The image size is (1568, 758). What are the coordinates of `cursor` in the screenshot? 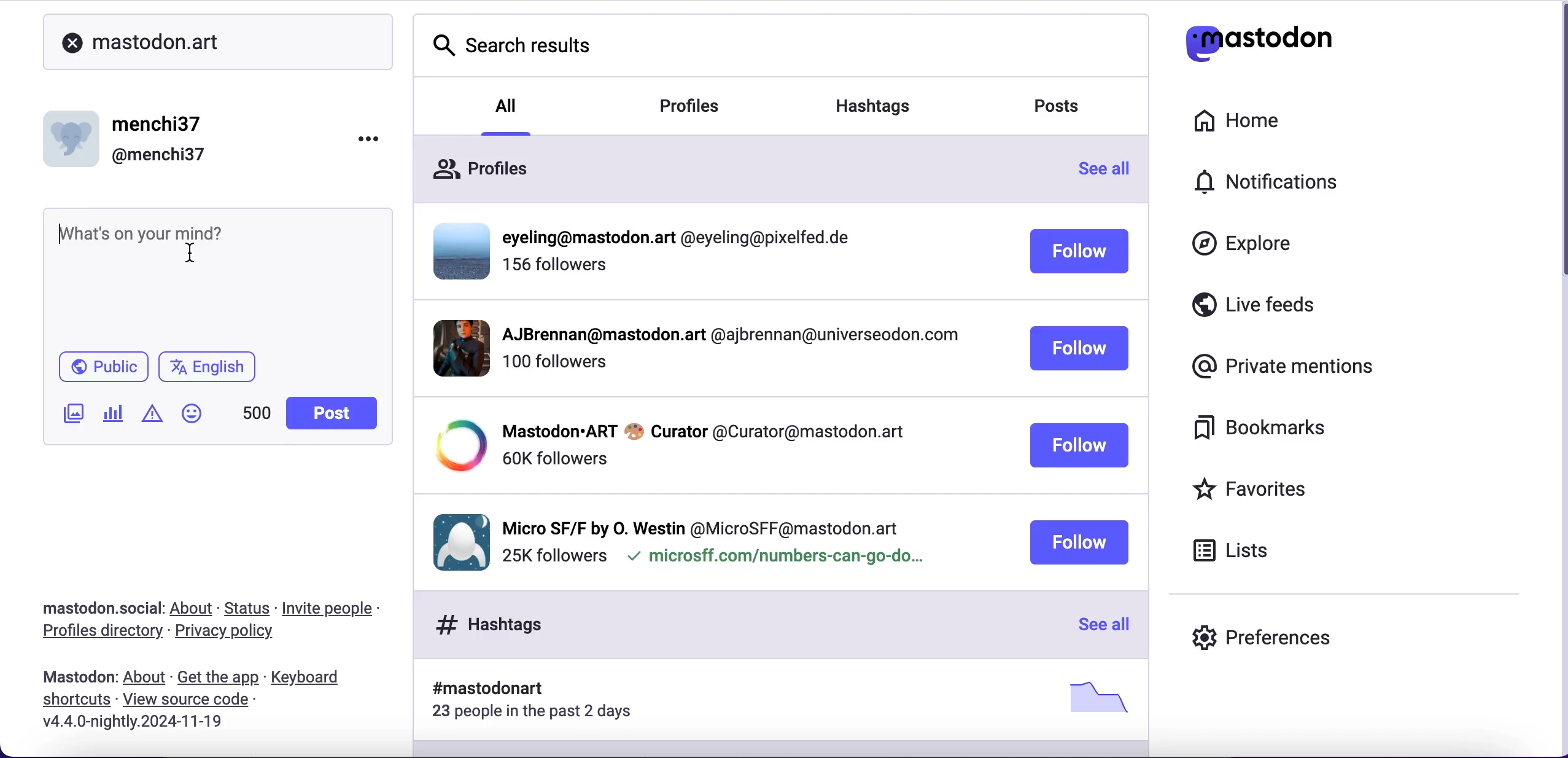 It's located at (192, 255).